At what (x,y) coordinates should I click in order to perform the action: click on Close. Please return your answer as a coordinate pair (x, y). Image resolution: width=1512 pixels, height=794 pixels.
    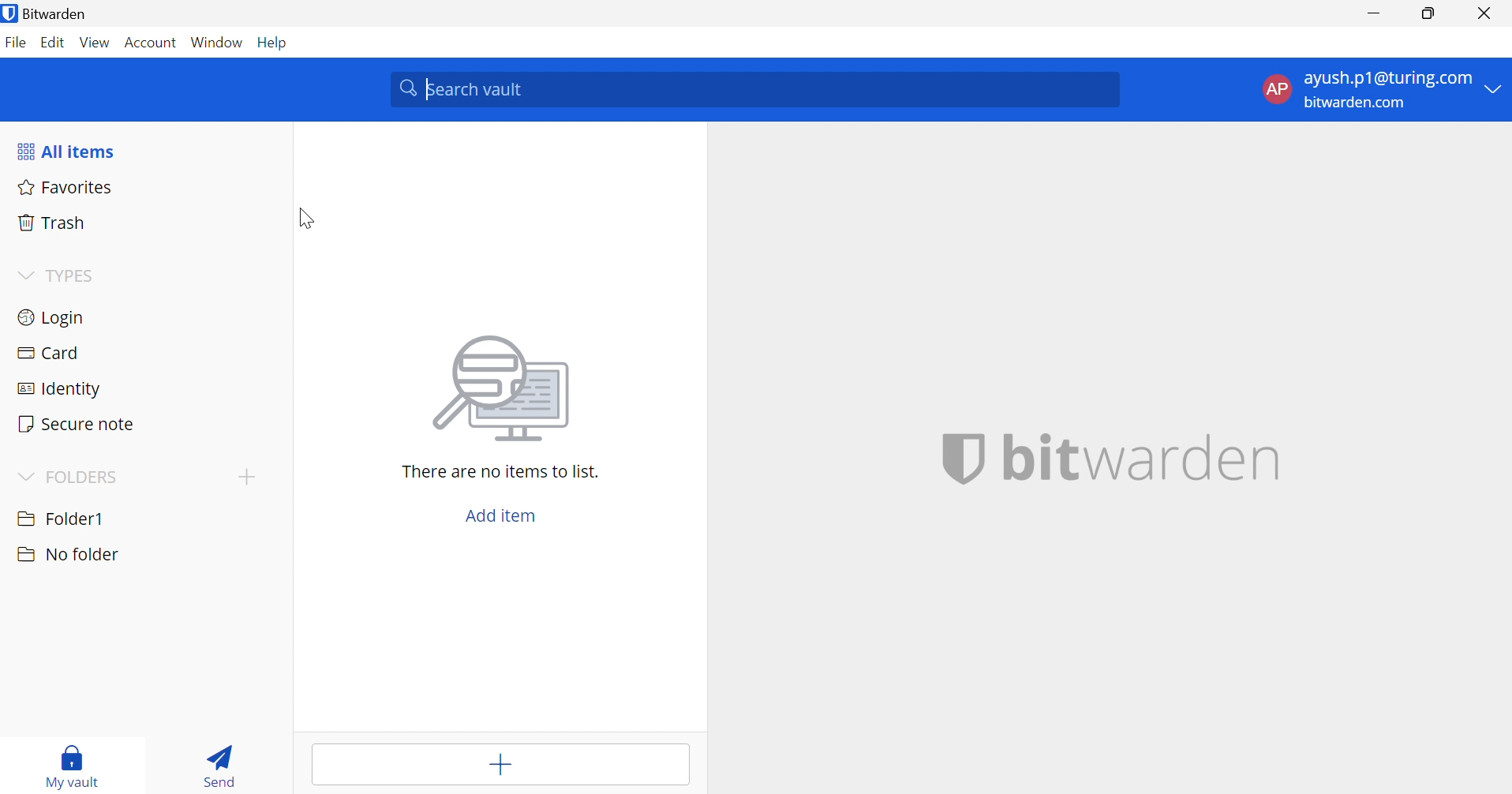
    Looking at the image, I should click on (1486, 13).